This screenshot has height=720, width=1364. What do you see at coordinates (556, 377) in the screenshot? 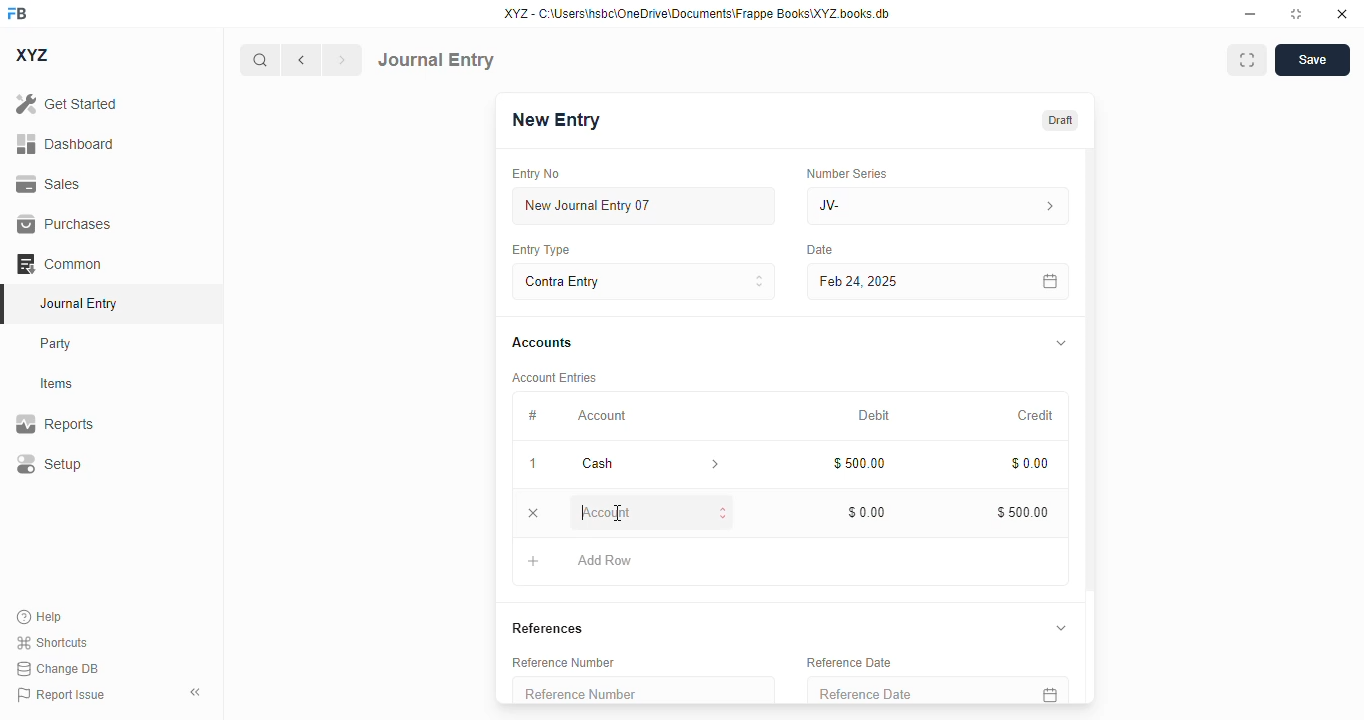
I see `account entries` at bounding box center [556, 377].